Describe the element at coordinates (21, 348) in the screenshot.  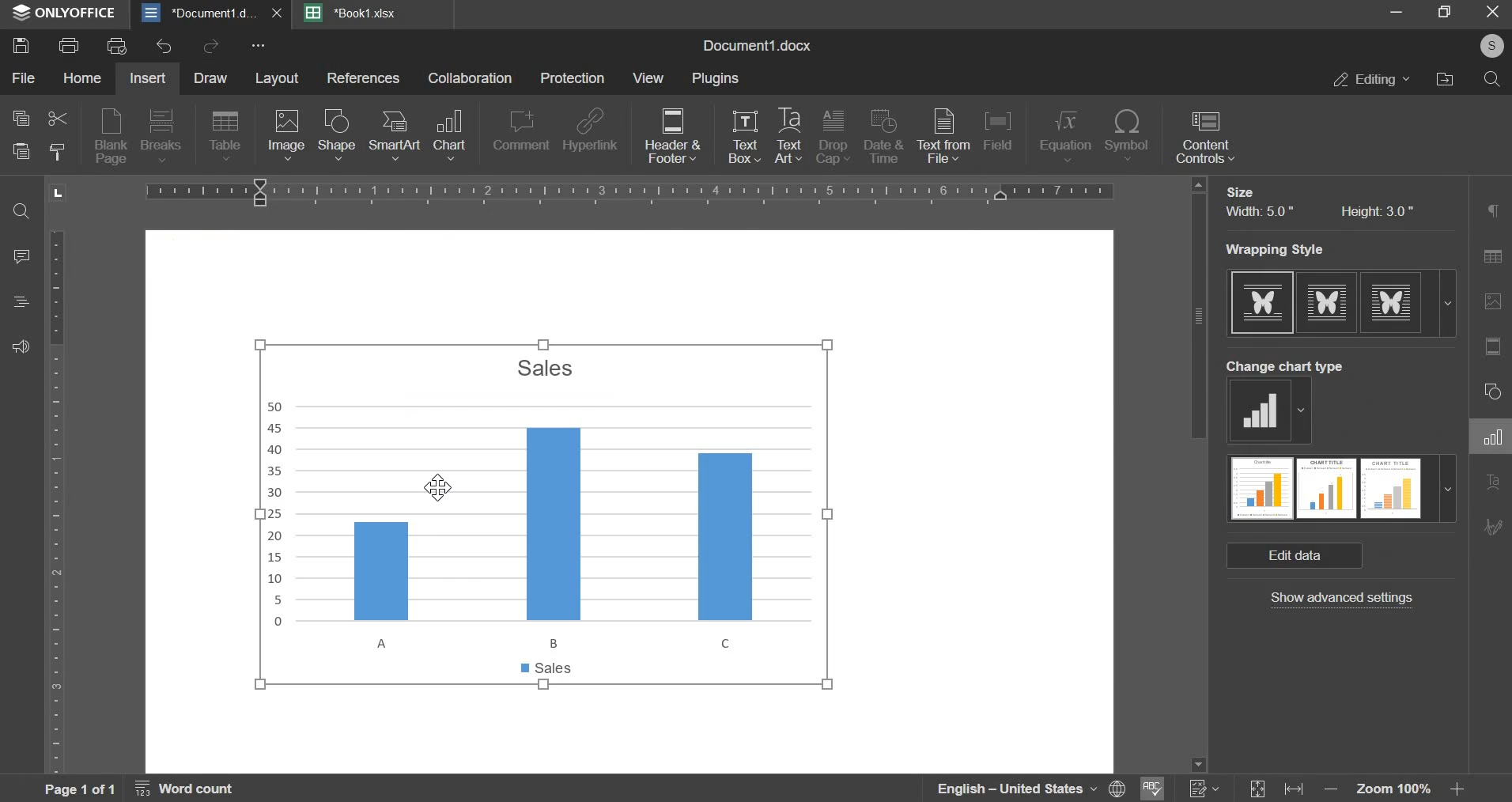
I see `feedback` at that location.